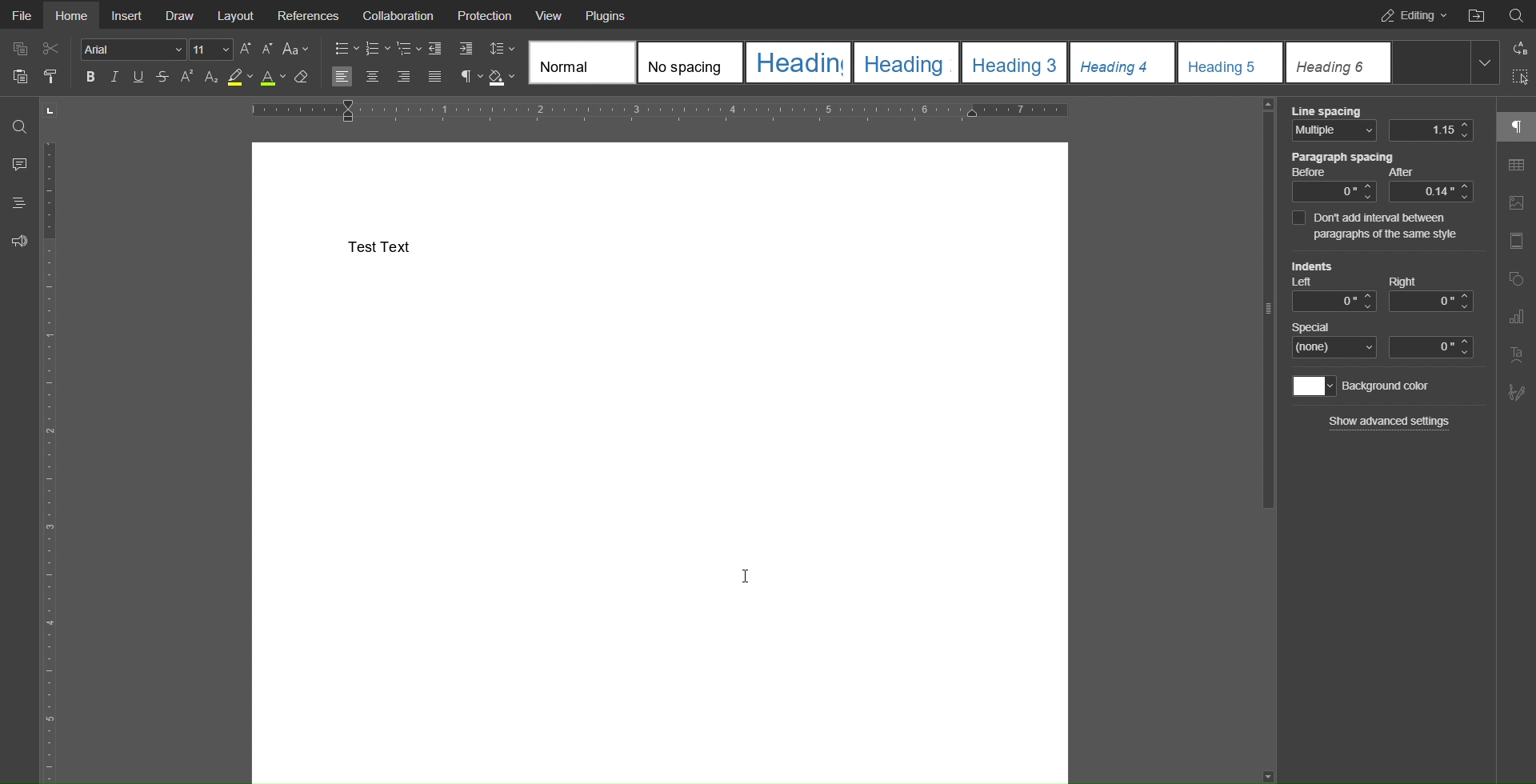  Describe the element at coordinates (1518, 48) in the screenshot. I see `Replace` at that location.